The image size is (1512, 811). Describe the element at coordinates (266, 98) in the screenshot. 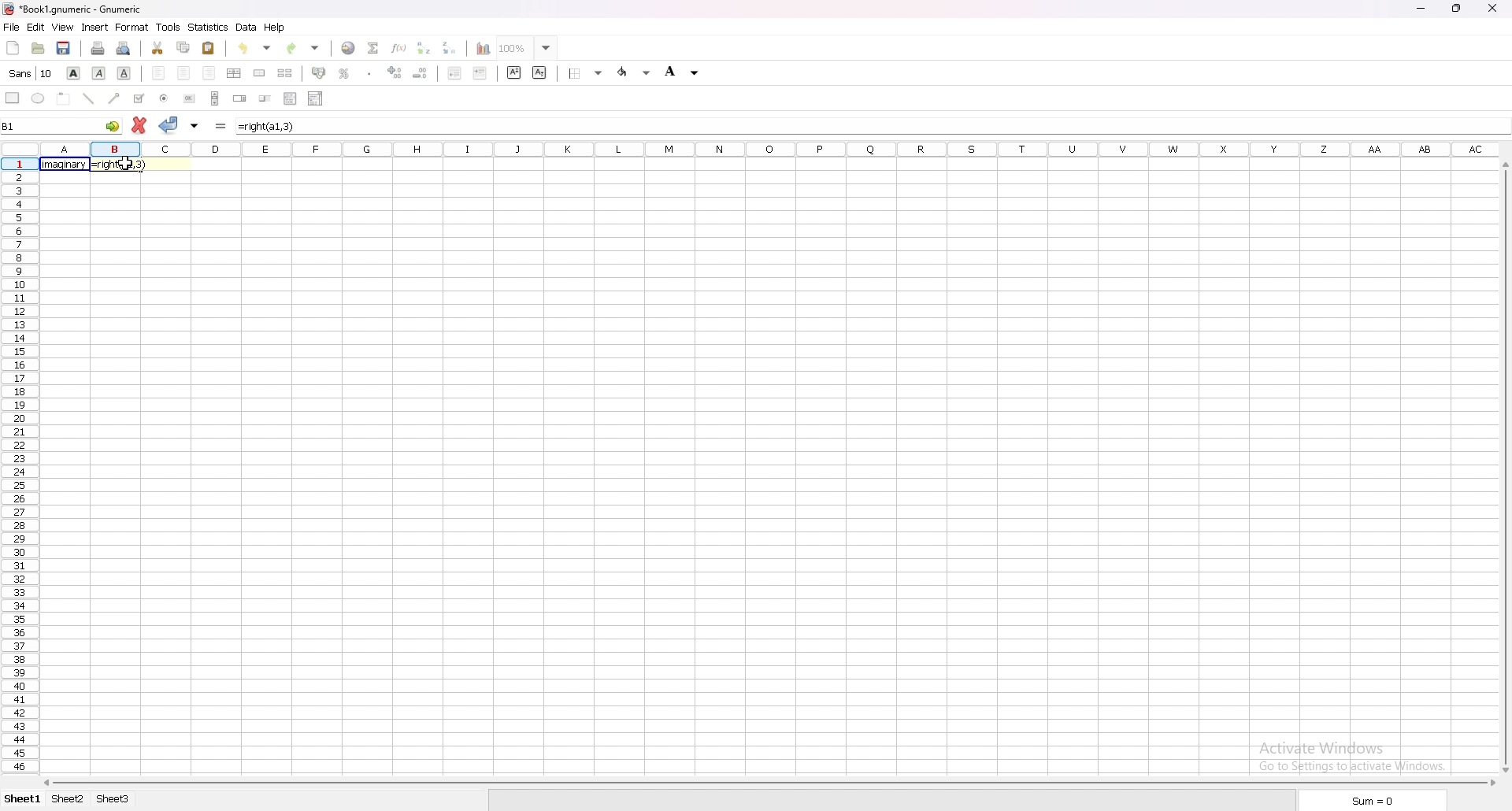

I see `slider` at that location.